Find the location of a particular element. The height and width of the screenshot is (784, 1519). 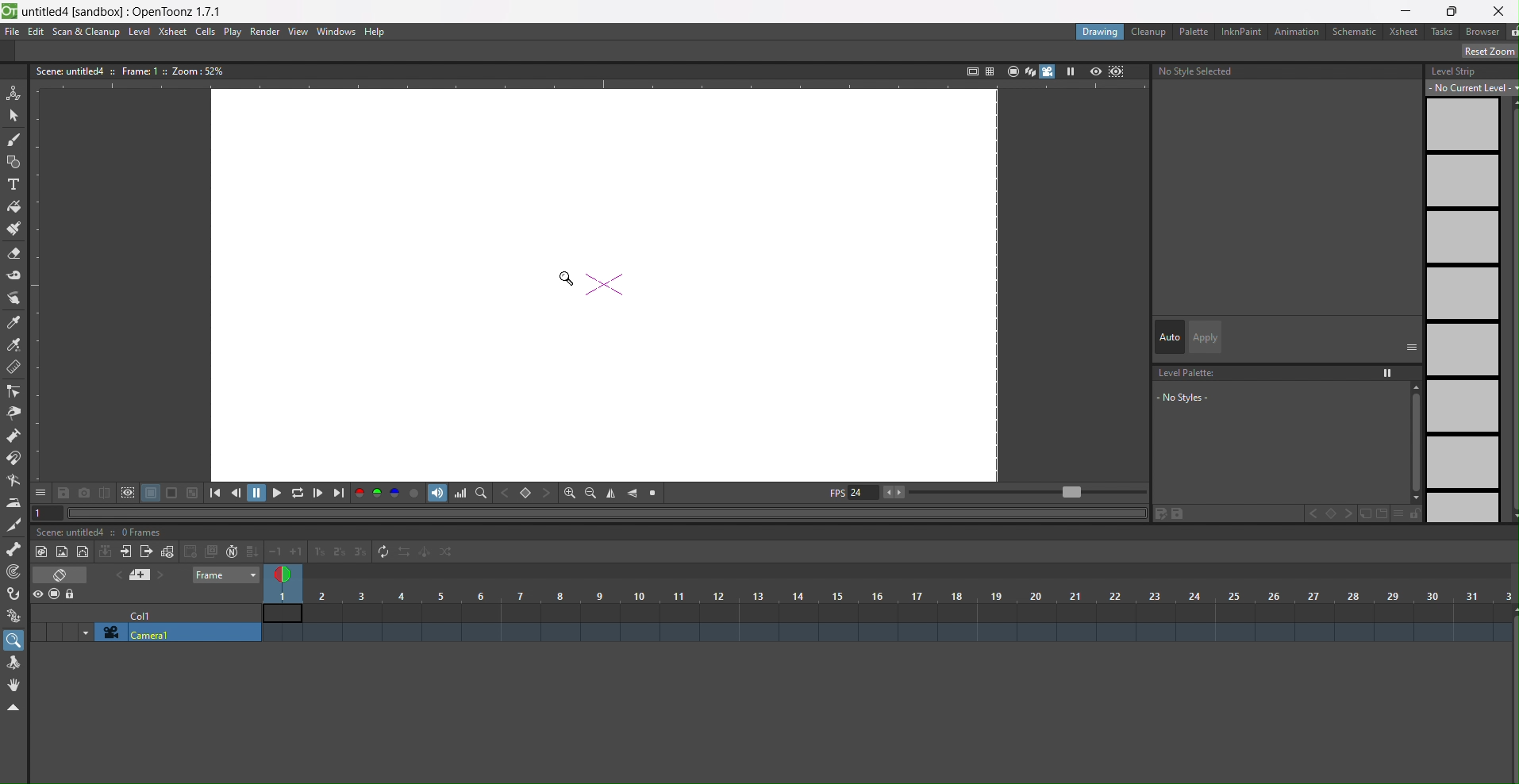

type tool  is located at coordinates (17, 184).